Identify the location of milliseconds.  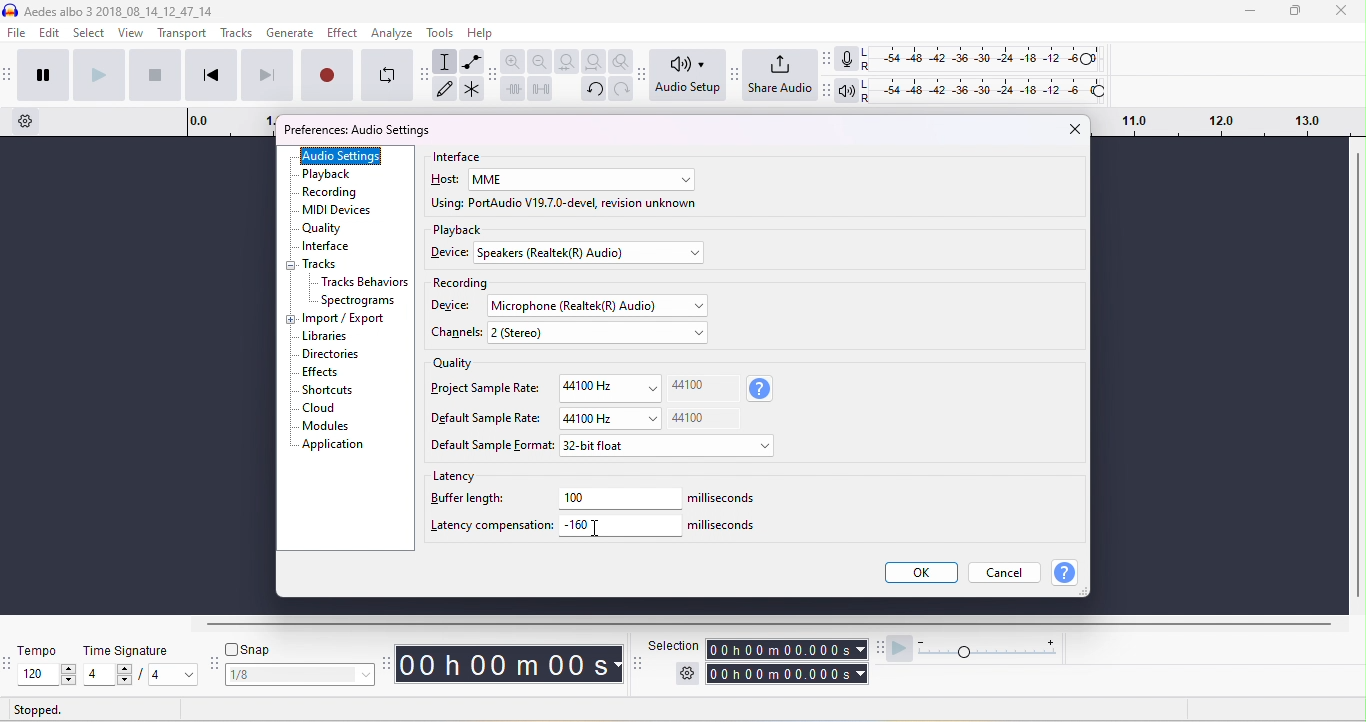
(727, 499).